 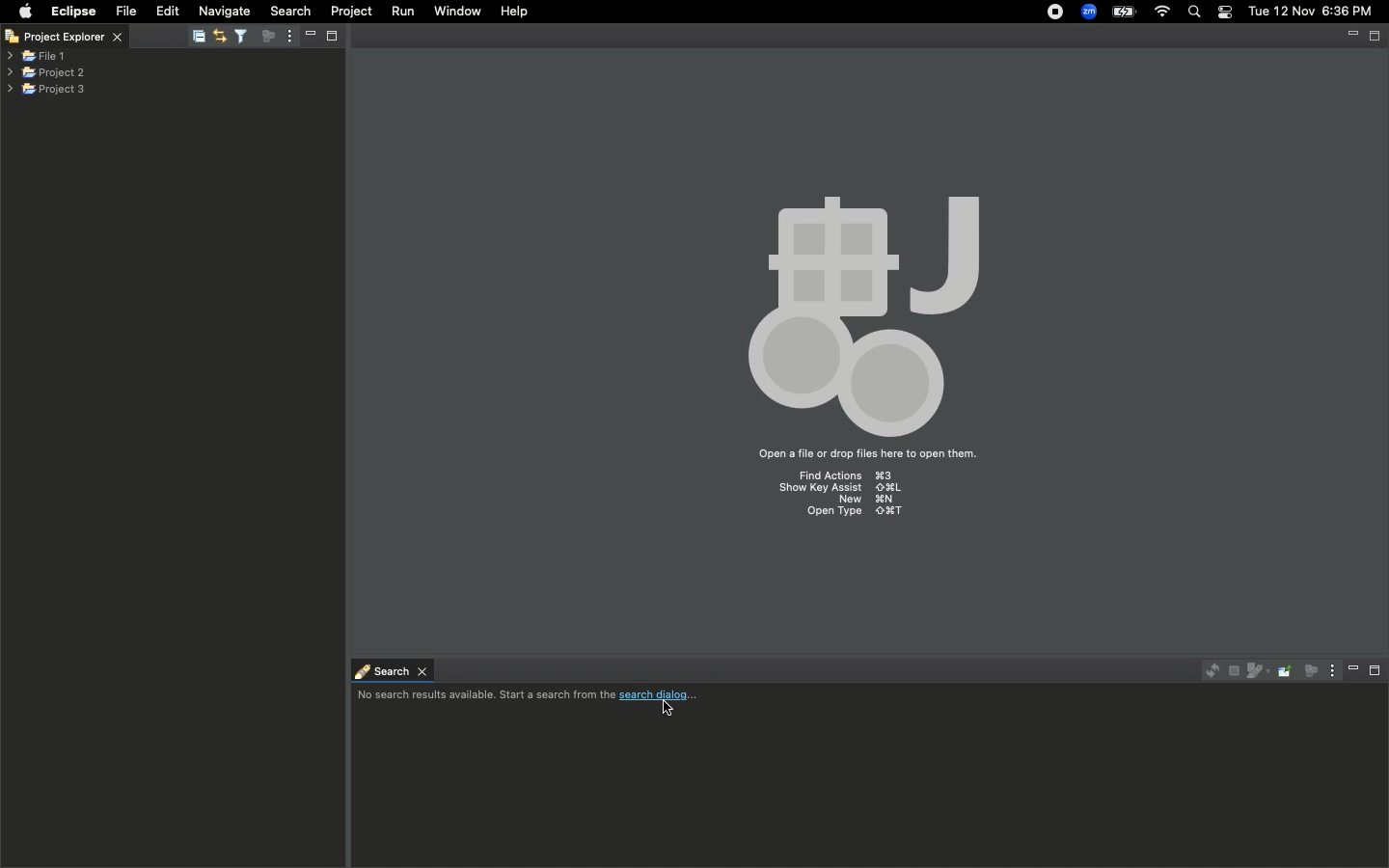 What do you see at coordinates (351, 12) in the screenshot?
I see `Project` at bounding box center [351, 12].